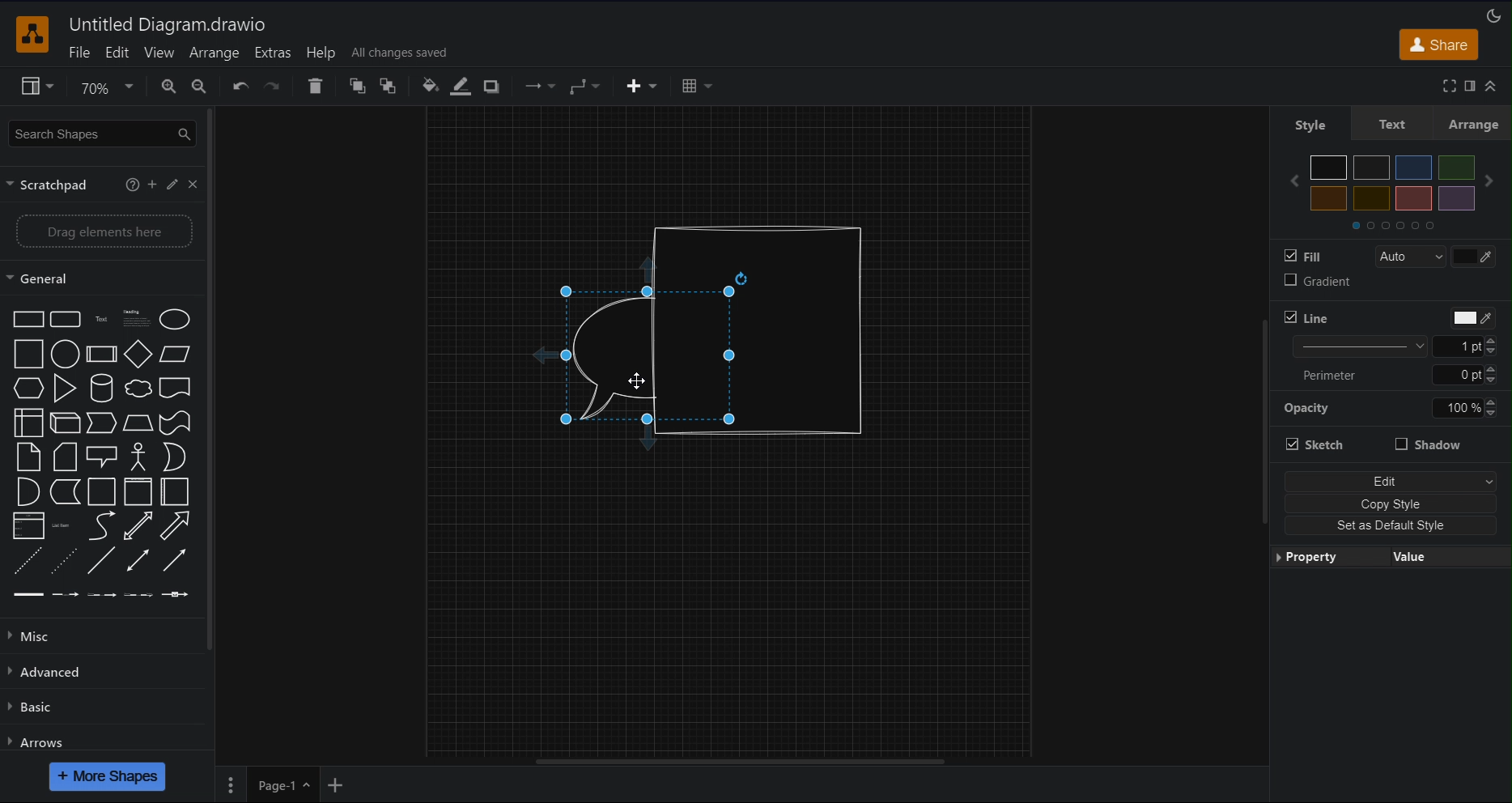  What do you see at coordinates (101, 561) in the screenshot?
I see `Line` at bounding box center [101, 561].